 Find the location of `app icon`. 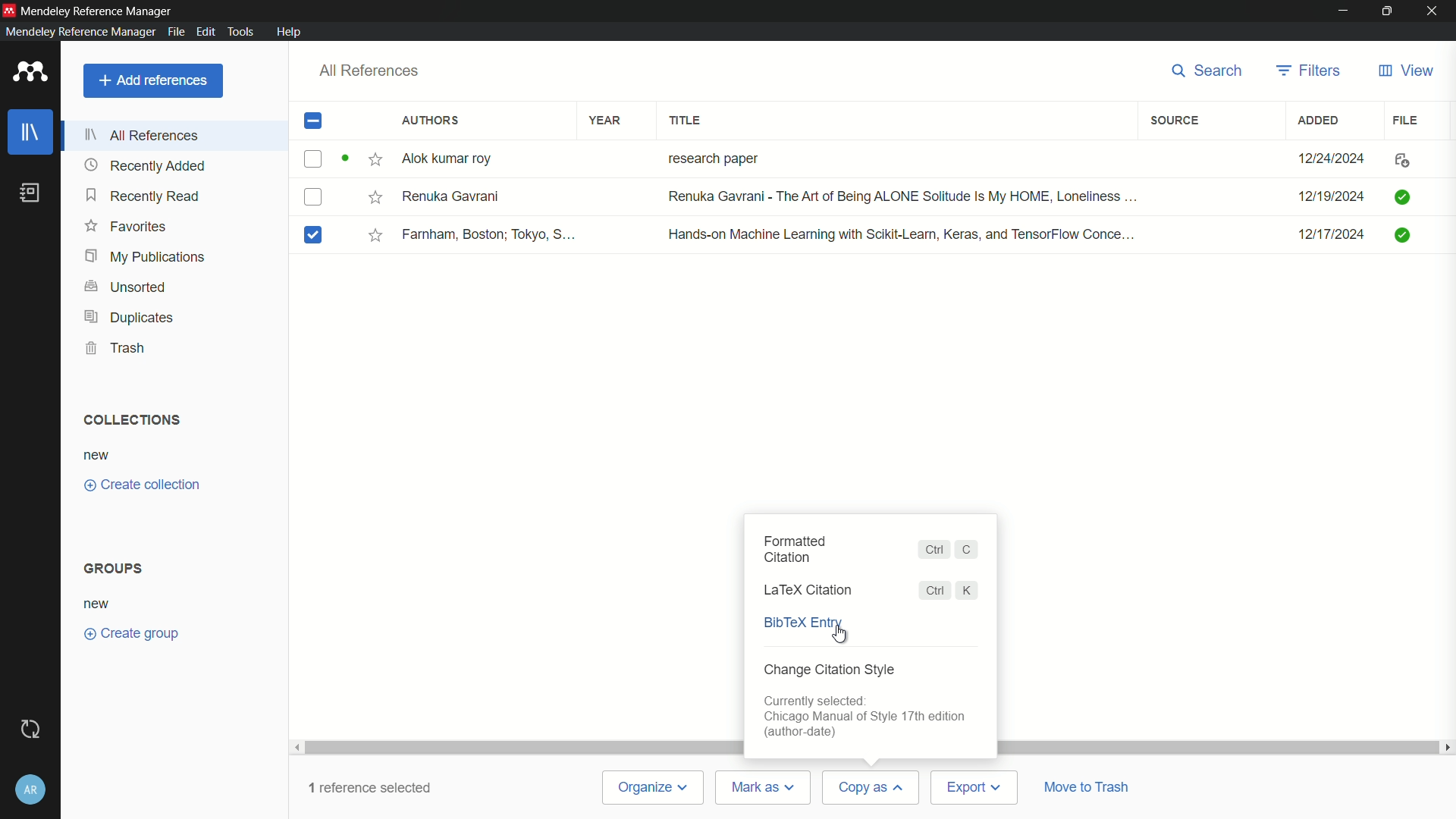

app icon is located at coordinates (9, 9).